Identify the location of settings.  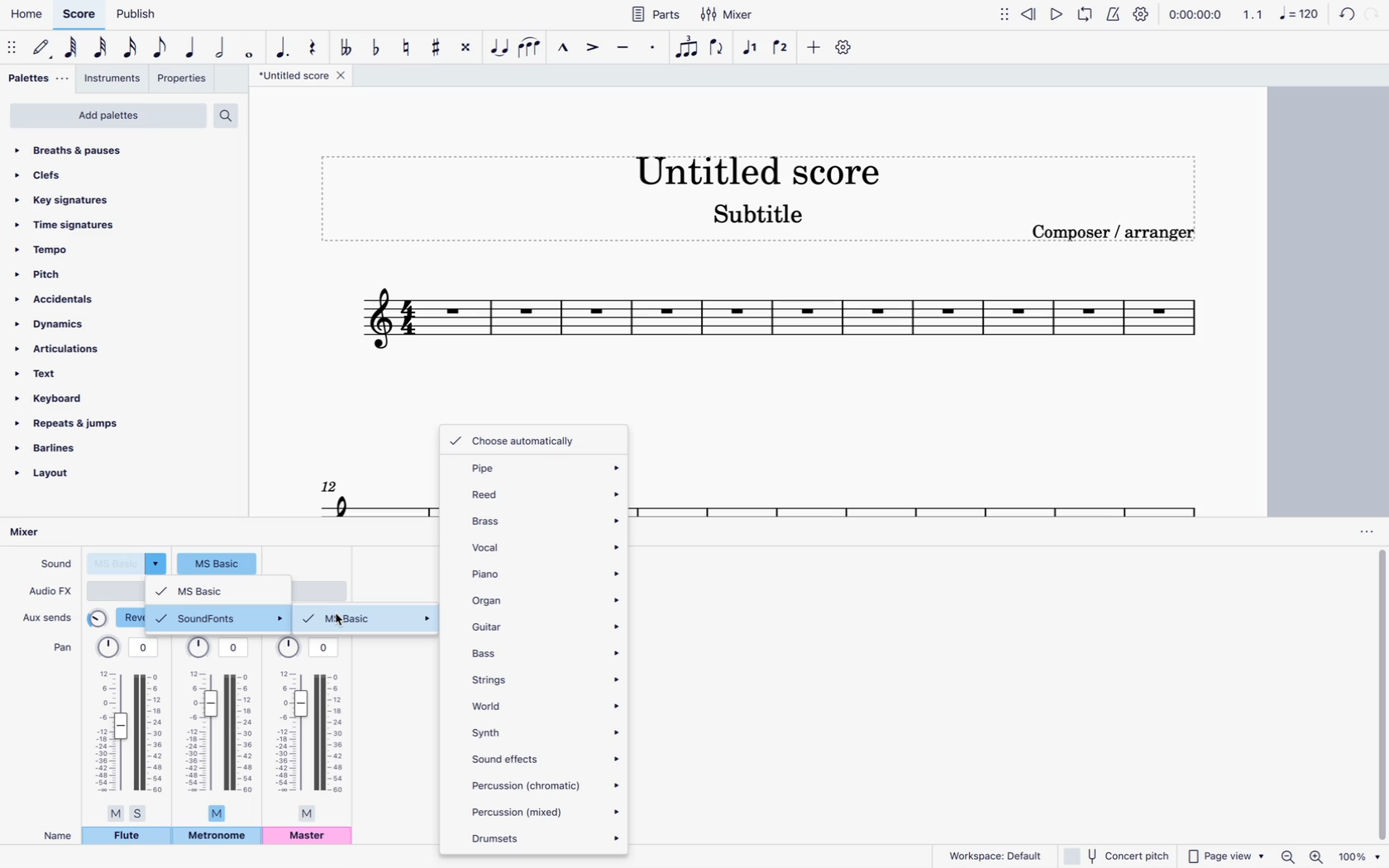
(846, 47).